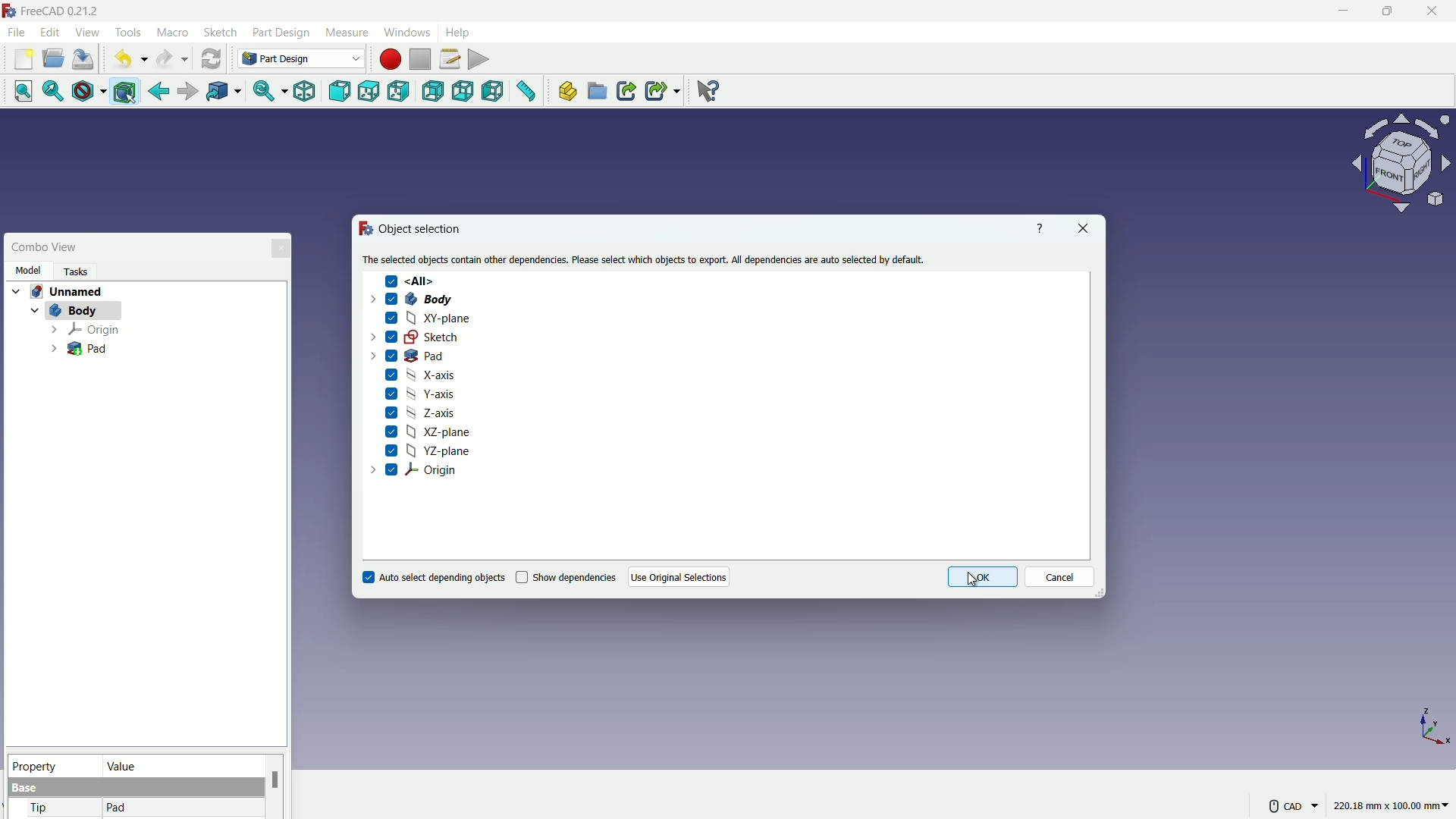 The height and width of the screenshot is (819, 1456). Describe the element at coordinates (428, 431) in the screenshot. I see `XZ-plane` at that location.